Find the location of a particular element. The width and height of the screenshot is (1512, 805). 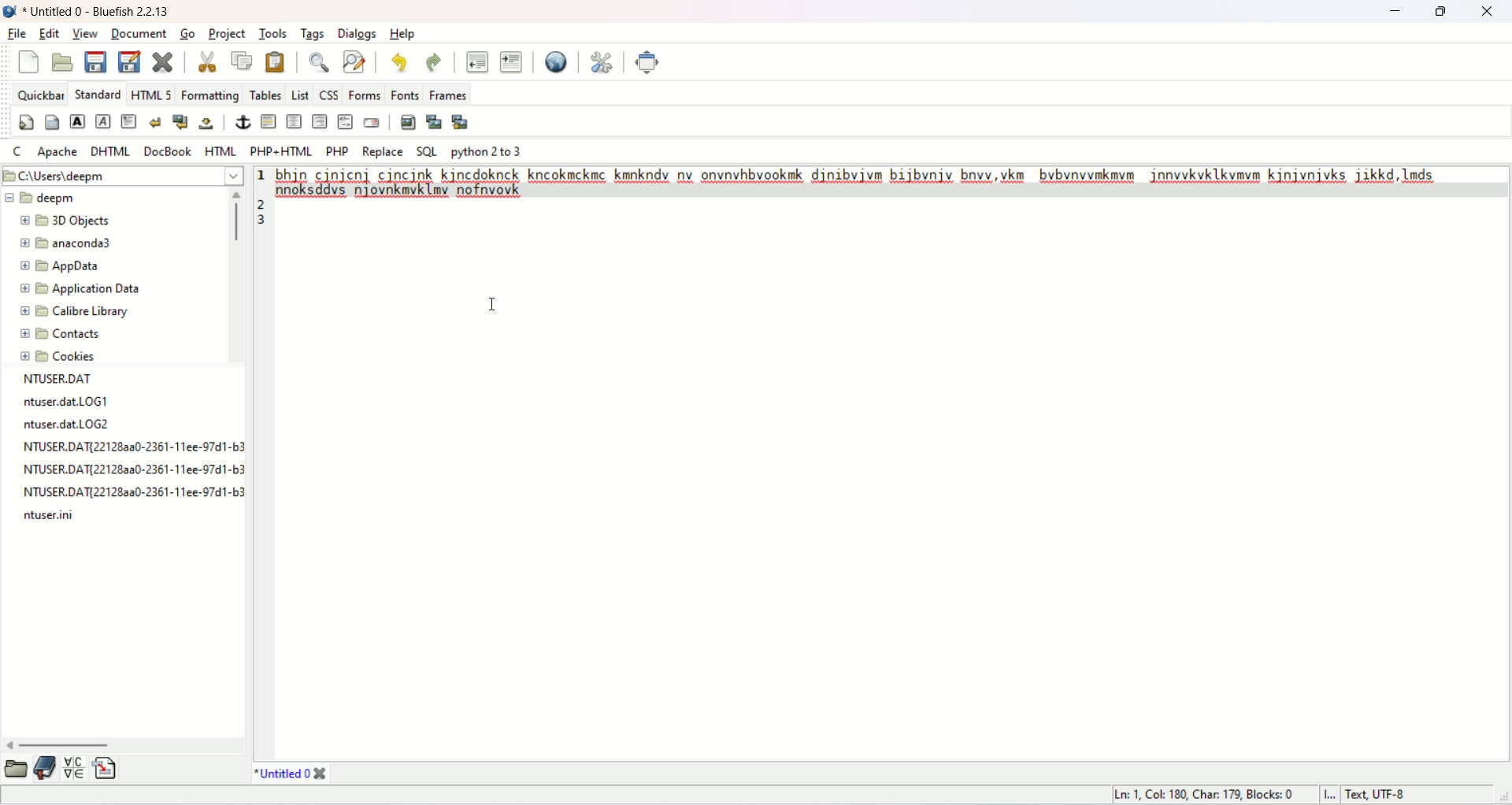

unindent is located at coordinates (478, 61).